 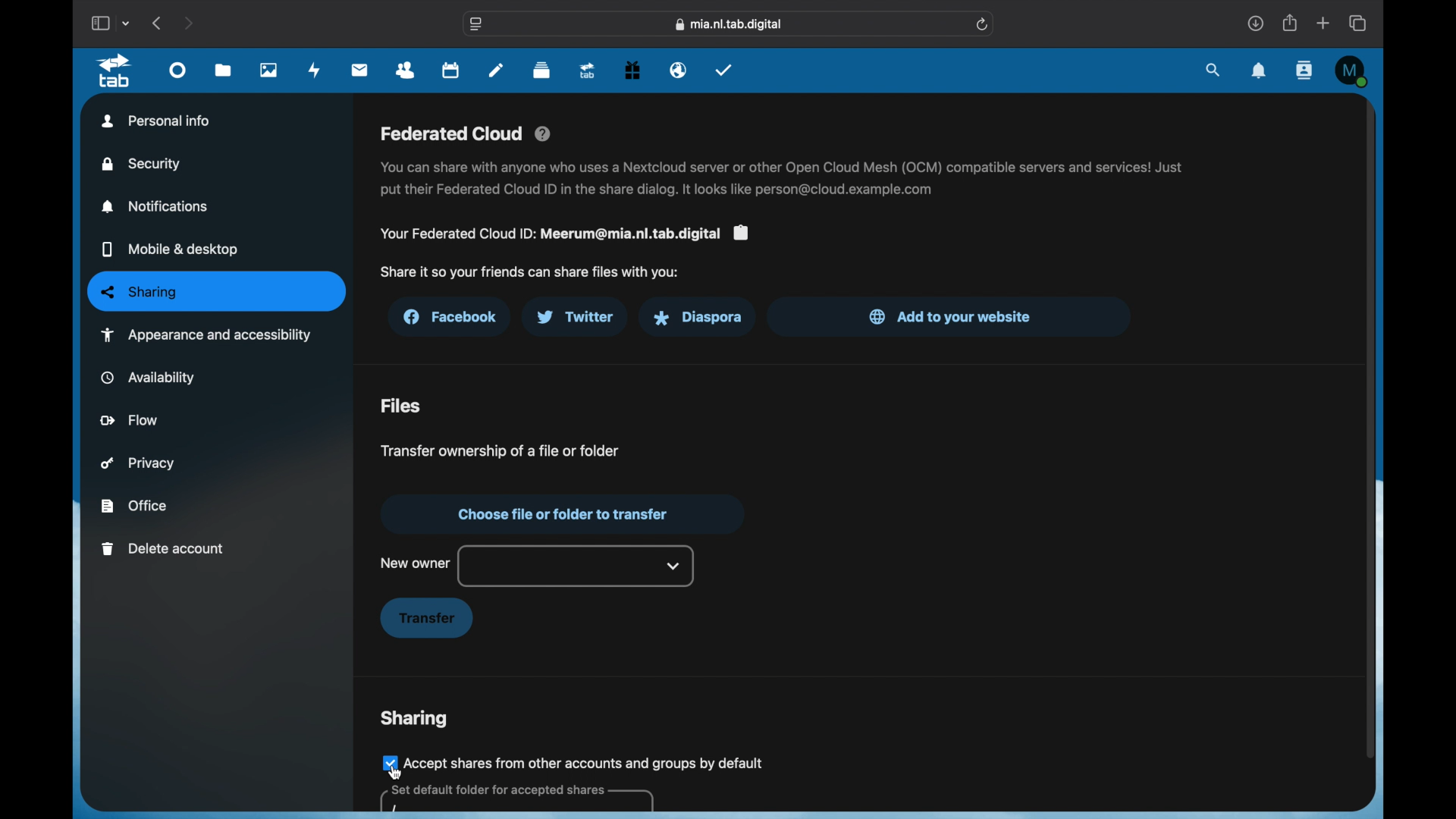 I want to click on tab, so click(x=115, y=71).